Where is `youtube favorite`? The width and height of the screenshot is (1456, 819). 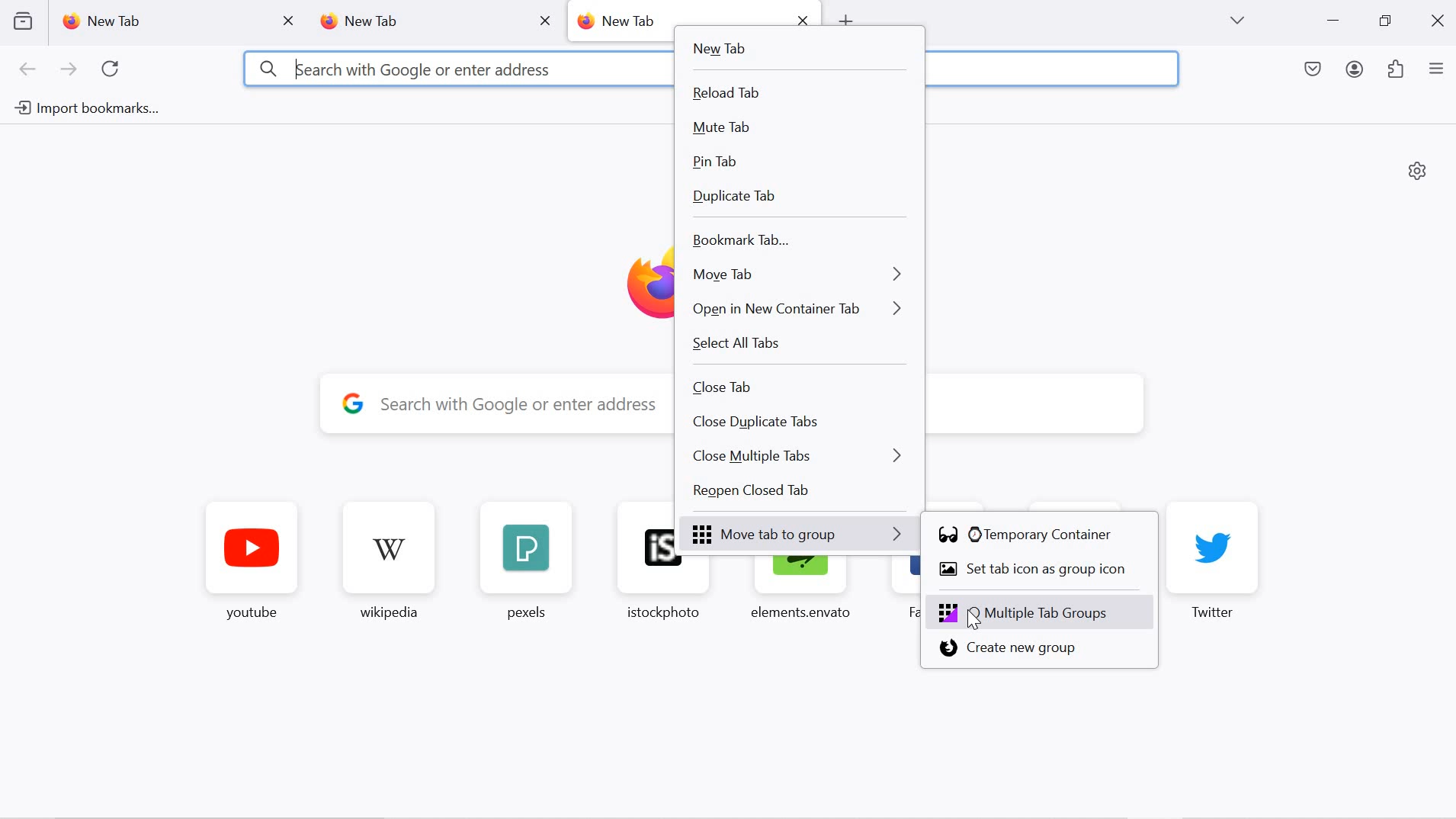 youtube favorite is located at coordinates (252, 564).